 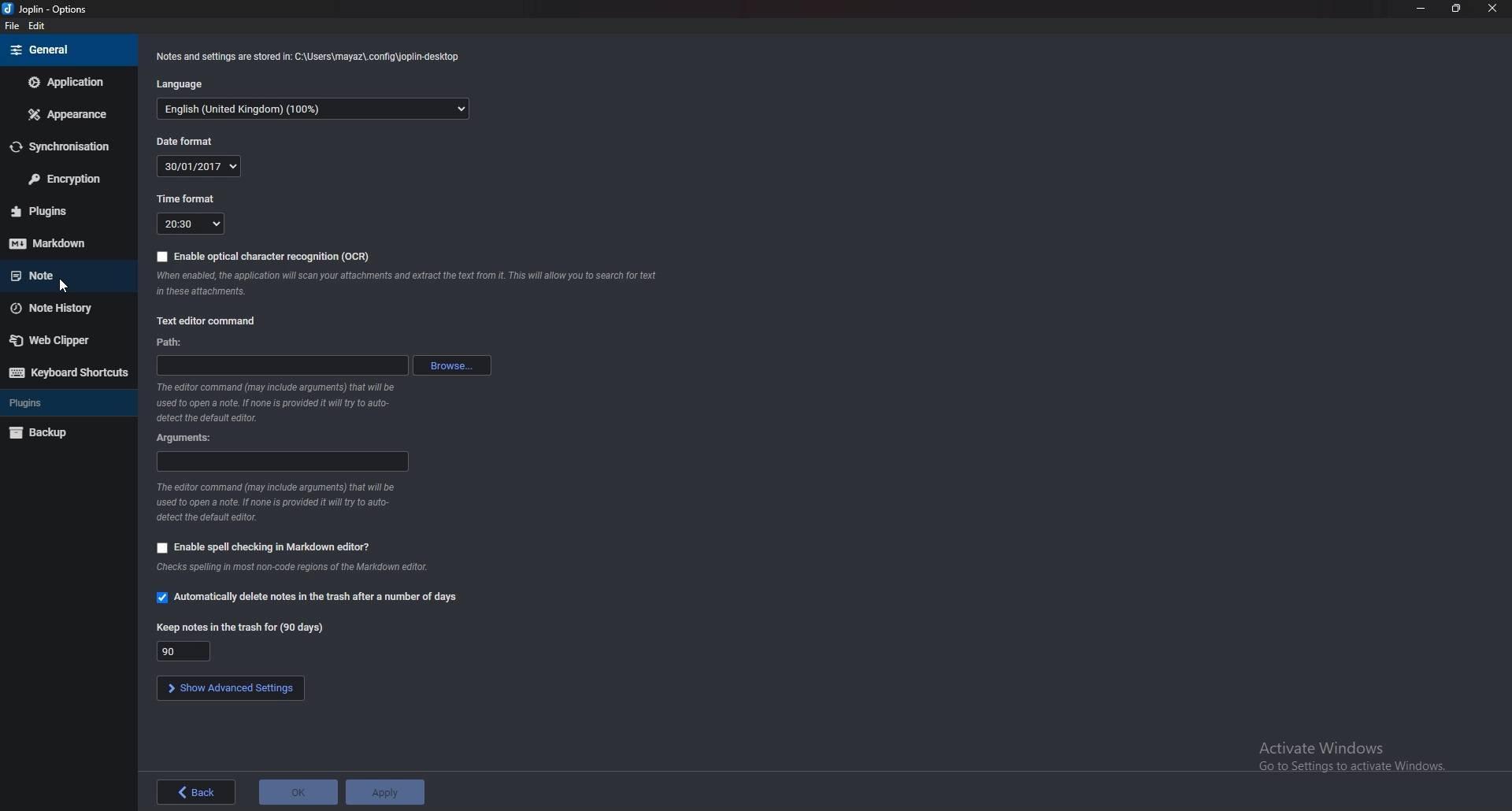 I want to click on Resize, so click(x=1457, y=9).